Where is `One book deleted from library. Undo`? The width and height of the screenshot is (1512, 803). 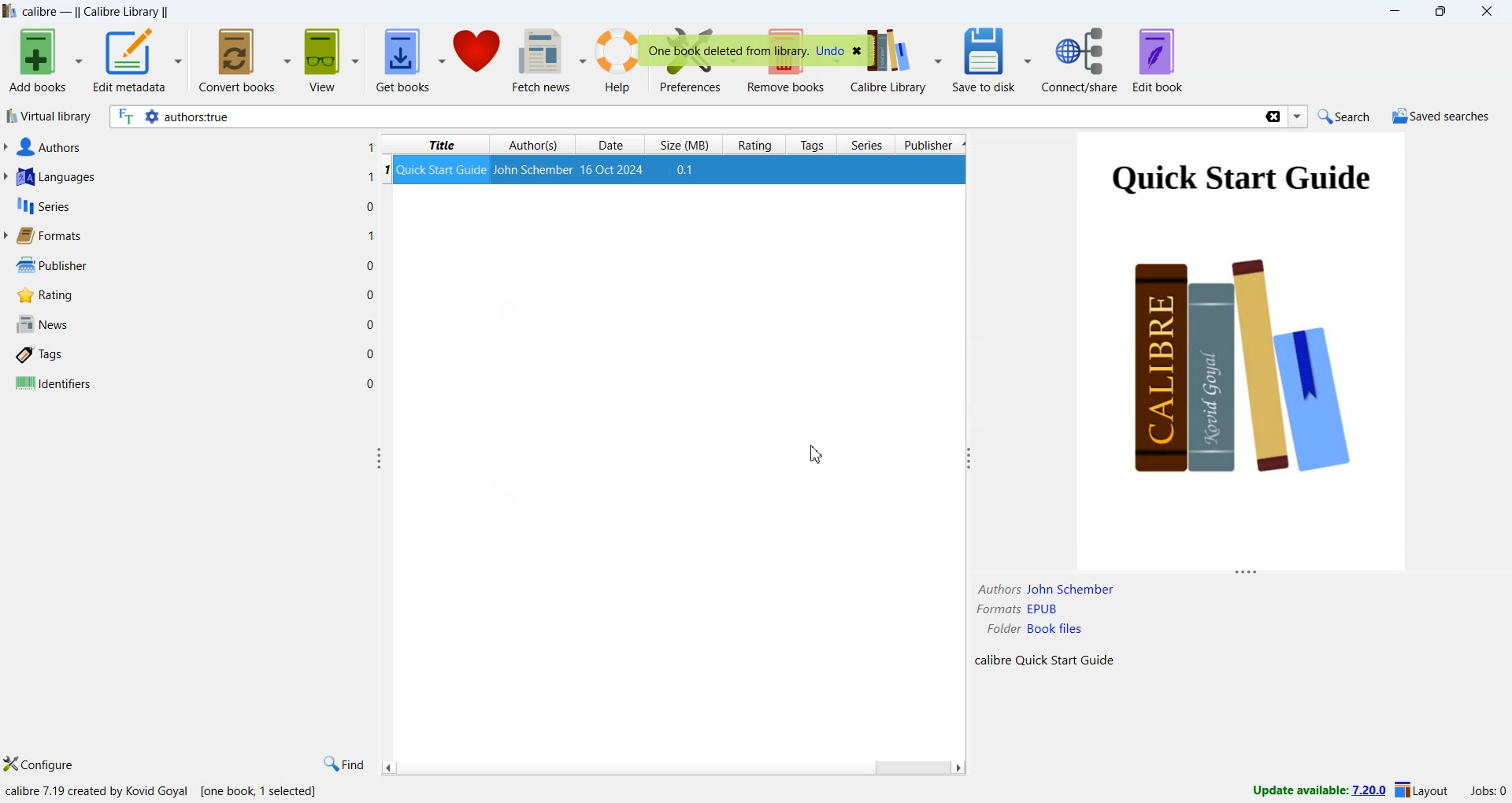
One book deleted from library. Undo is located at coordinates (757, 51).